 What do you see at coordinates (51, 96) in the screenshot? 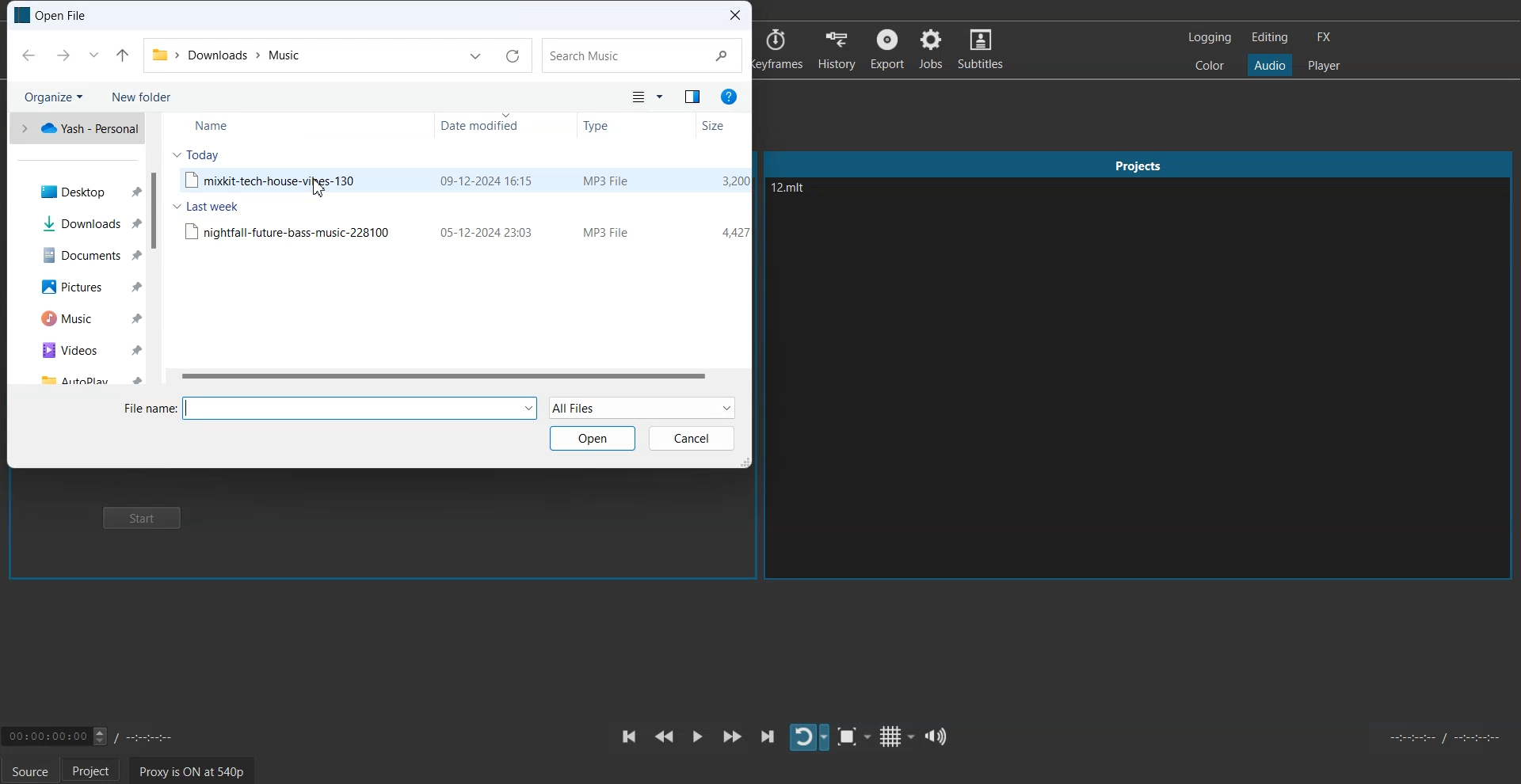
I see `Organize` at bounding box center [51, 96].